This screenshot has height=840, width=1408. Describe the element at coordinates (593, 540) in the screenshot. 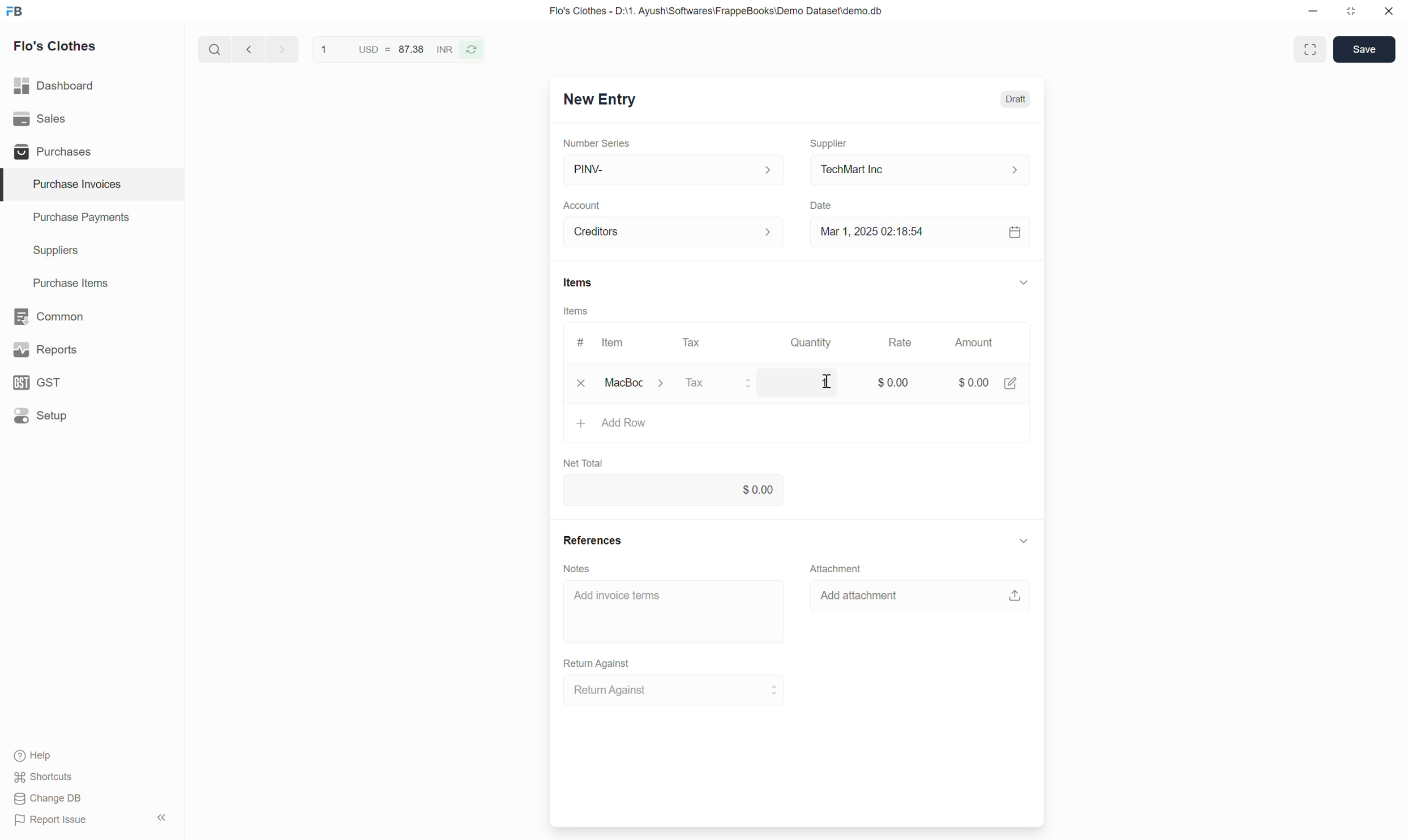

I see `References` at that location.